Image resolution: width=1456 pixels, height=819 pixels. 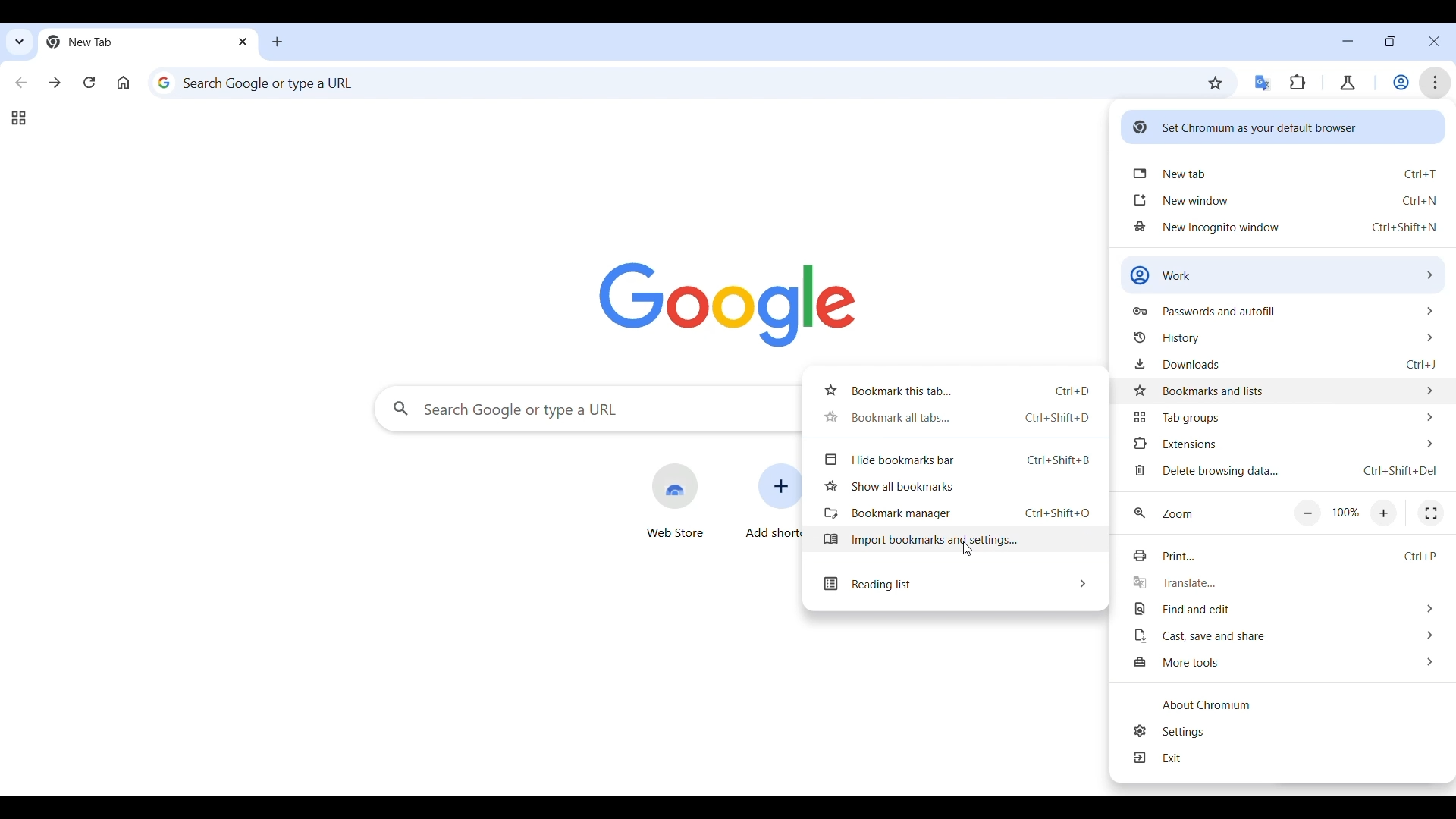 I want to click on Go back, so click(x=21, y=83).